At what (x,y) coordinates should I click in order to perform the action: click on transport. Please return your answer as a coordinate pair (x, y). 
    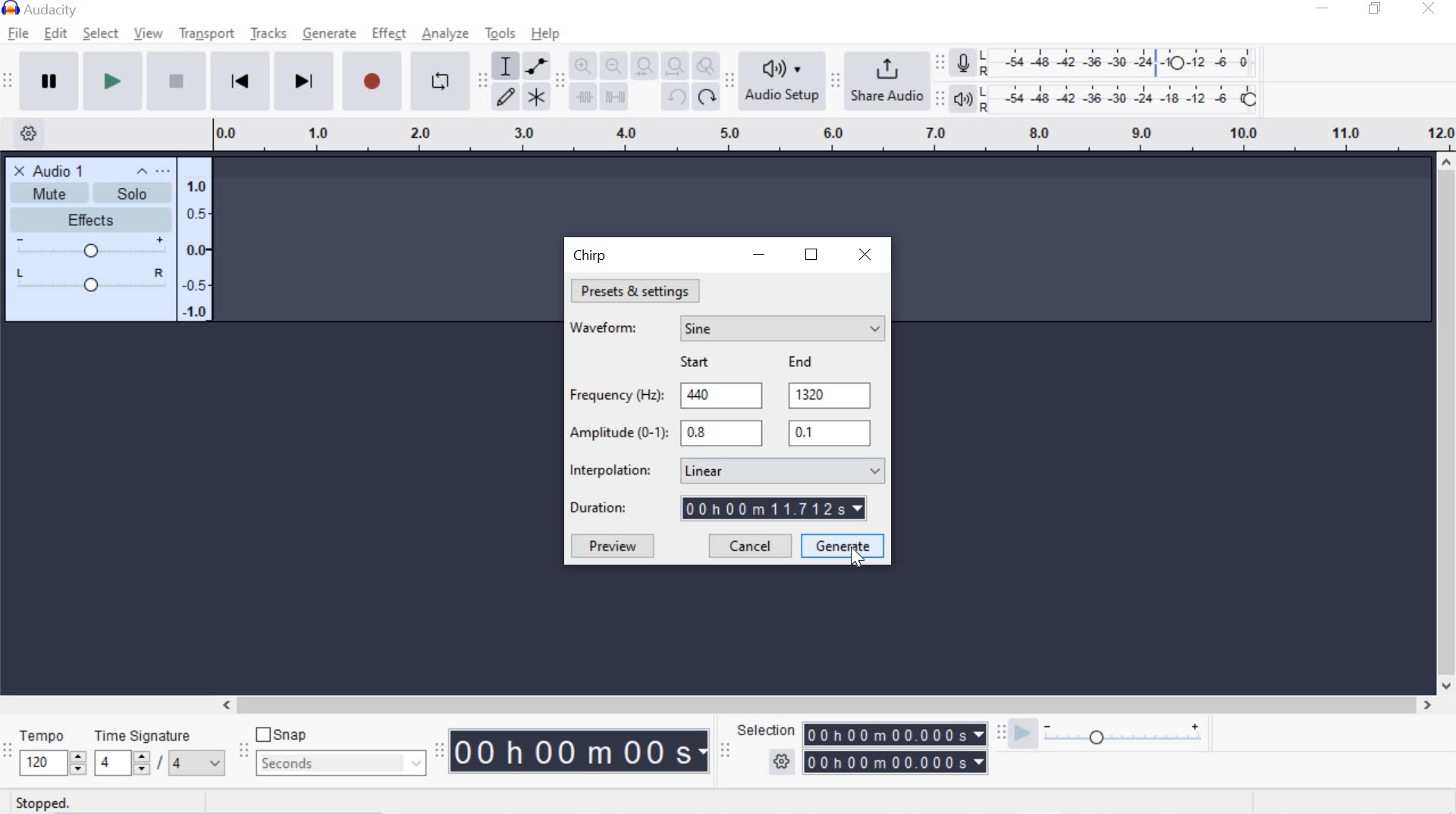
    Looking at the image, I should click on (206, 32).